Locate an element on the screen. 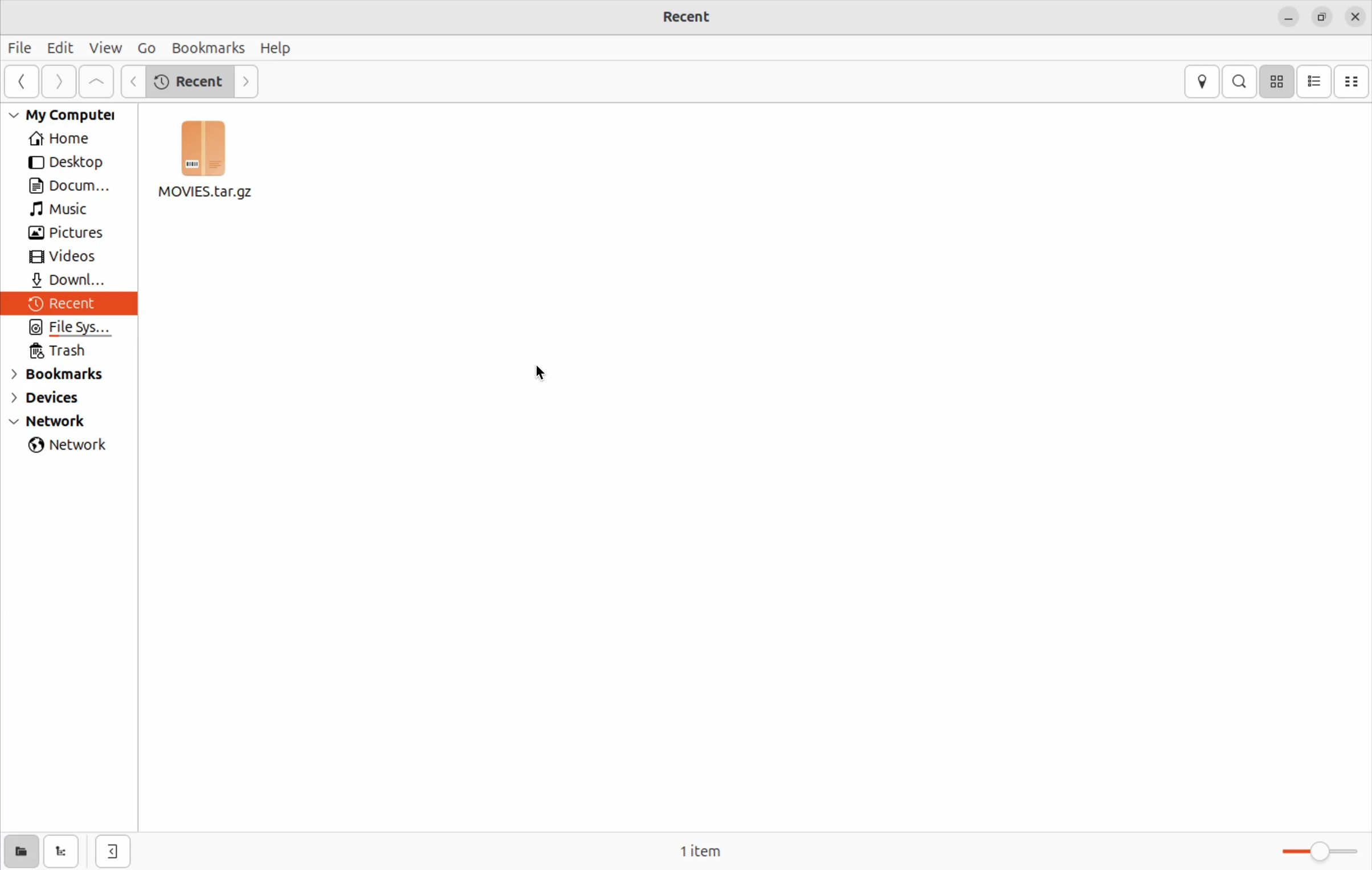  Go is located at coordinates (144, 47).